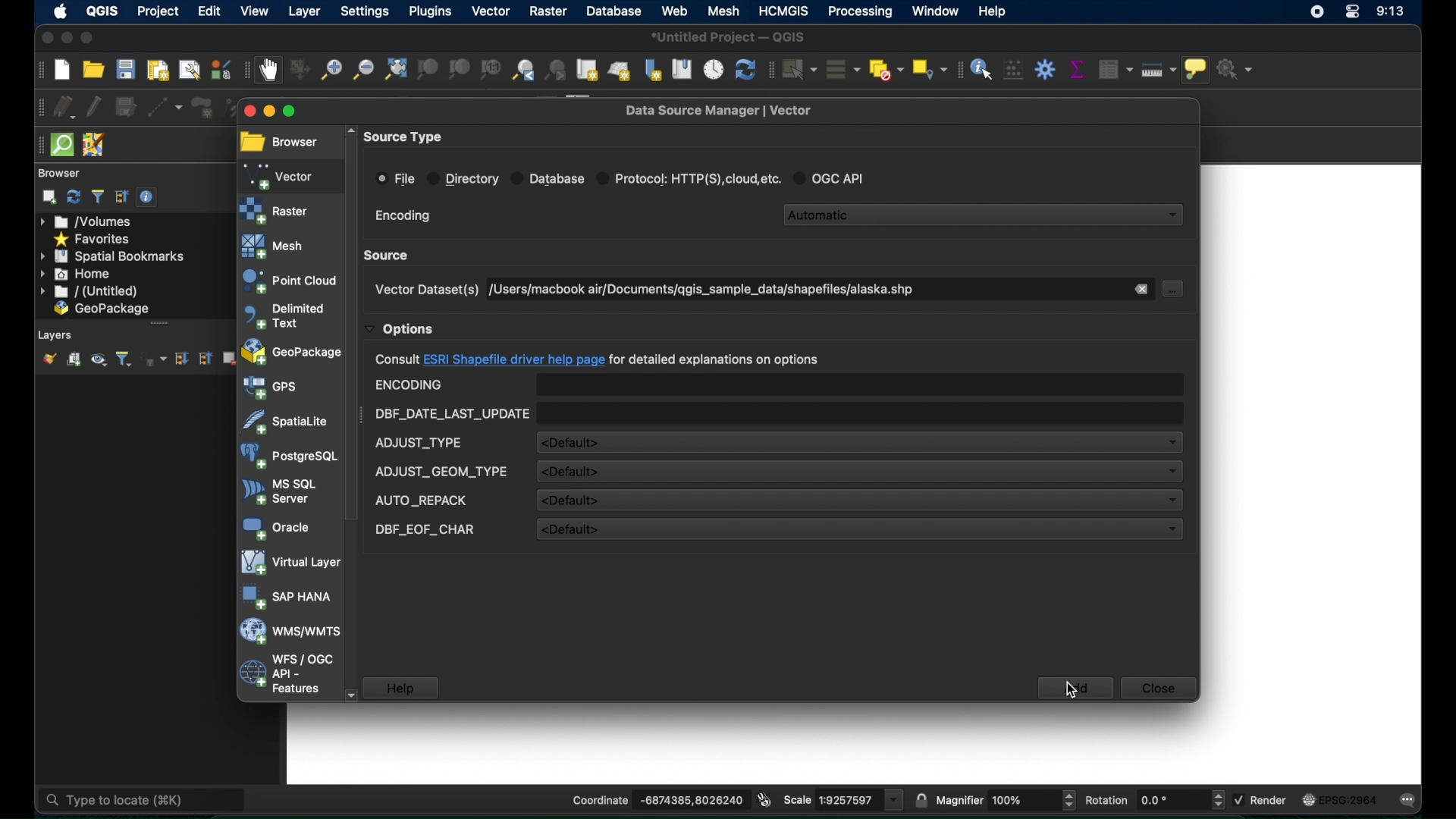  Describe the element at coordinates (158, 69) in the screenshot. I see `new paint layout` at that location.